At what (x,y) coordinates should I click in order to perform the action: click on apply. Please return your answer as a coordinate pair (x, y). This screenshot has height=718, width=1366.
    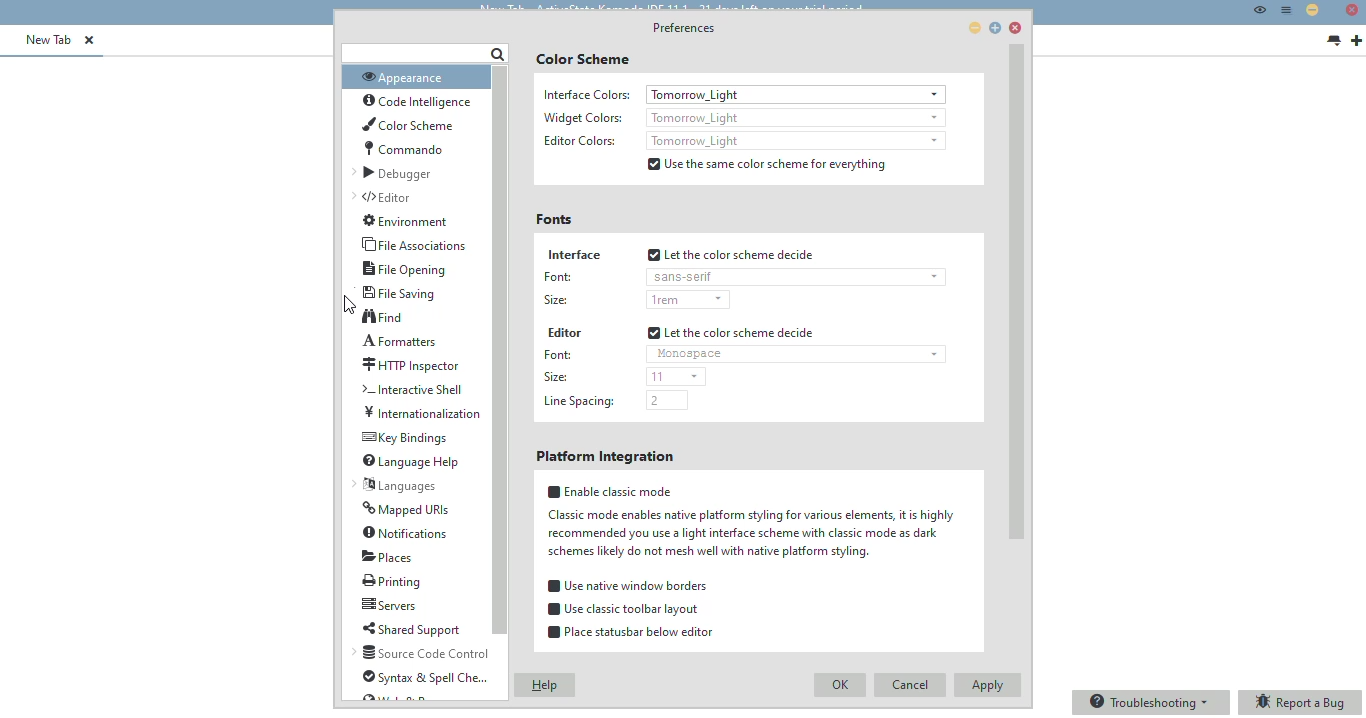
    Looking at the image, I should click on (989, 685).